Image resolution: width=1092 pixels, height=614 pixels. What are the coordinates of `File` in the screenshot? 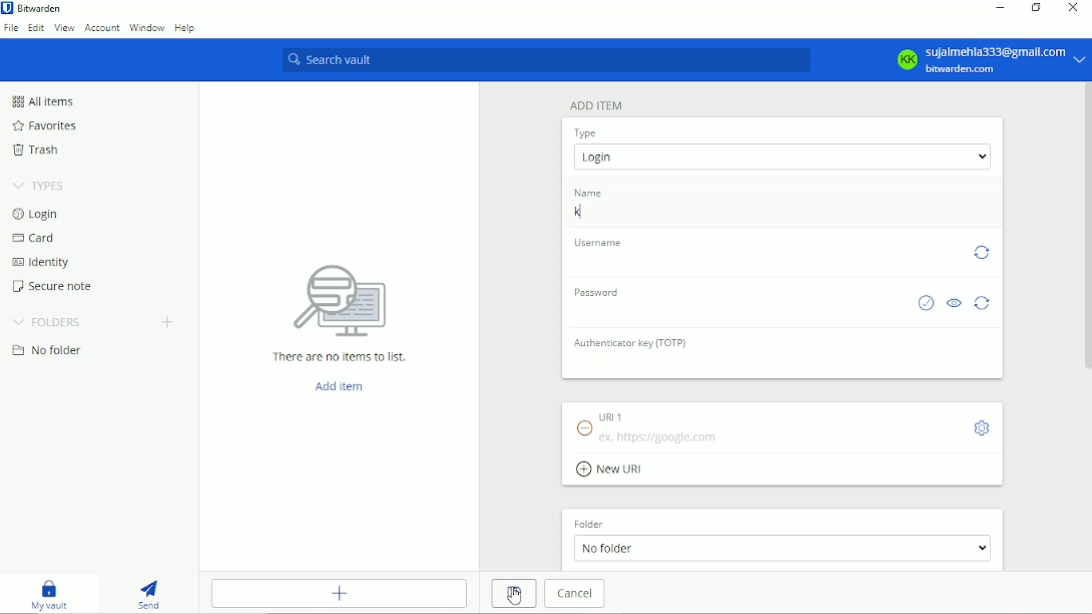 It's located at (10, 31).